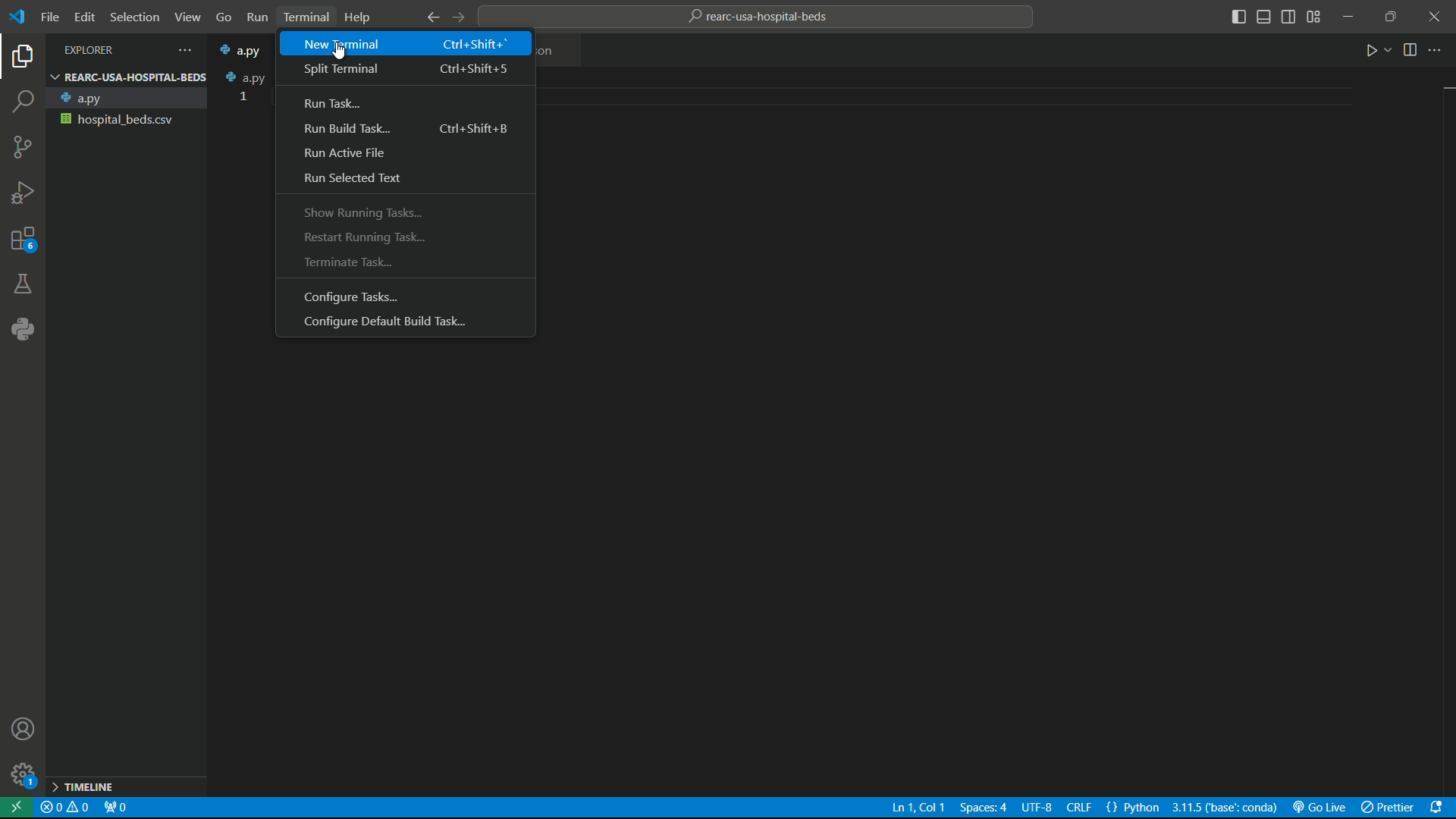  I want to click on select language mode, so click(1134, 808).